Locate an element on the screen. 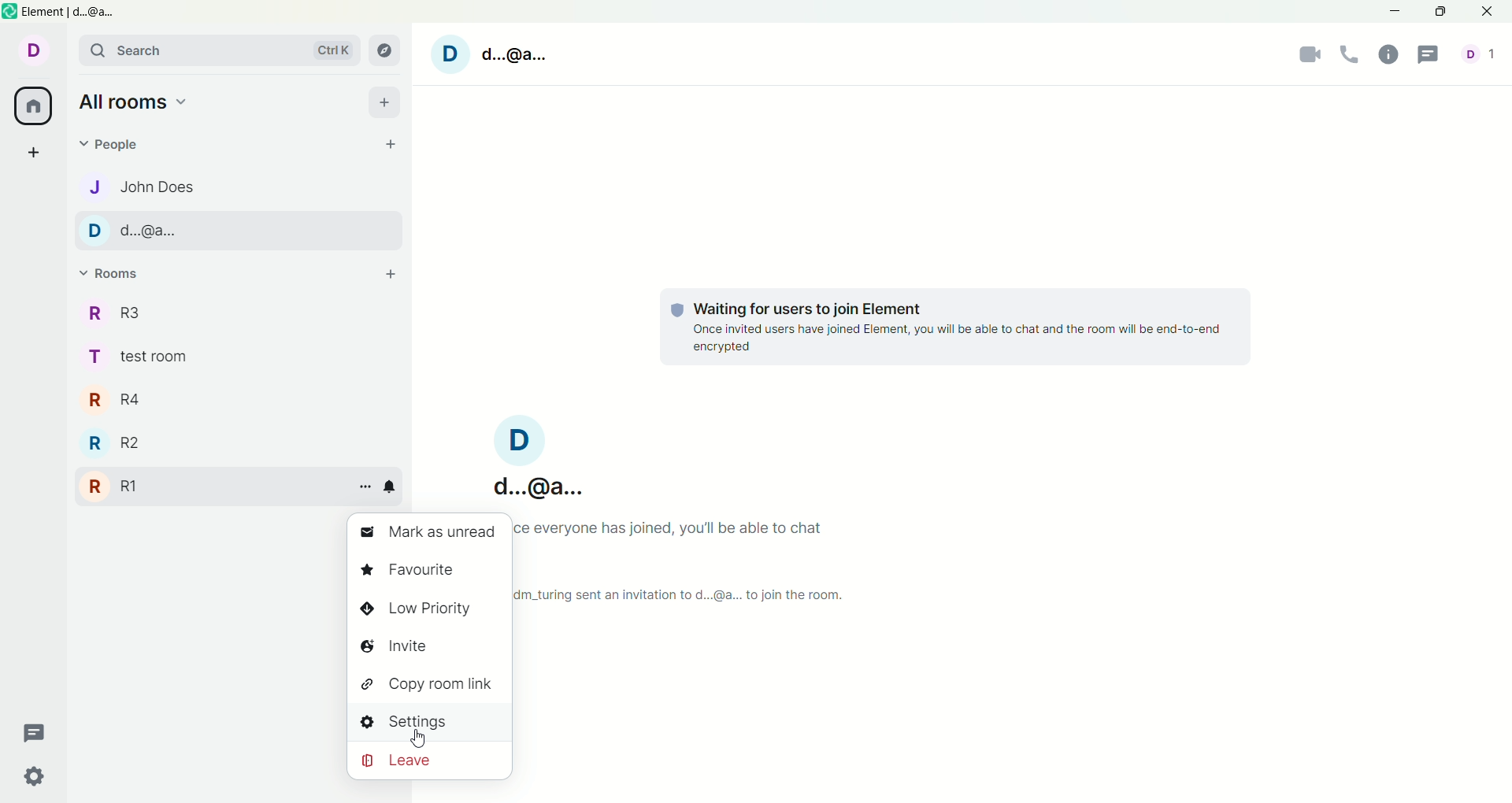 Image resolution: width=1512 pixels, height=803 pixels. j john does is located at coordinates (143, 187).